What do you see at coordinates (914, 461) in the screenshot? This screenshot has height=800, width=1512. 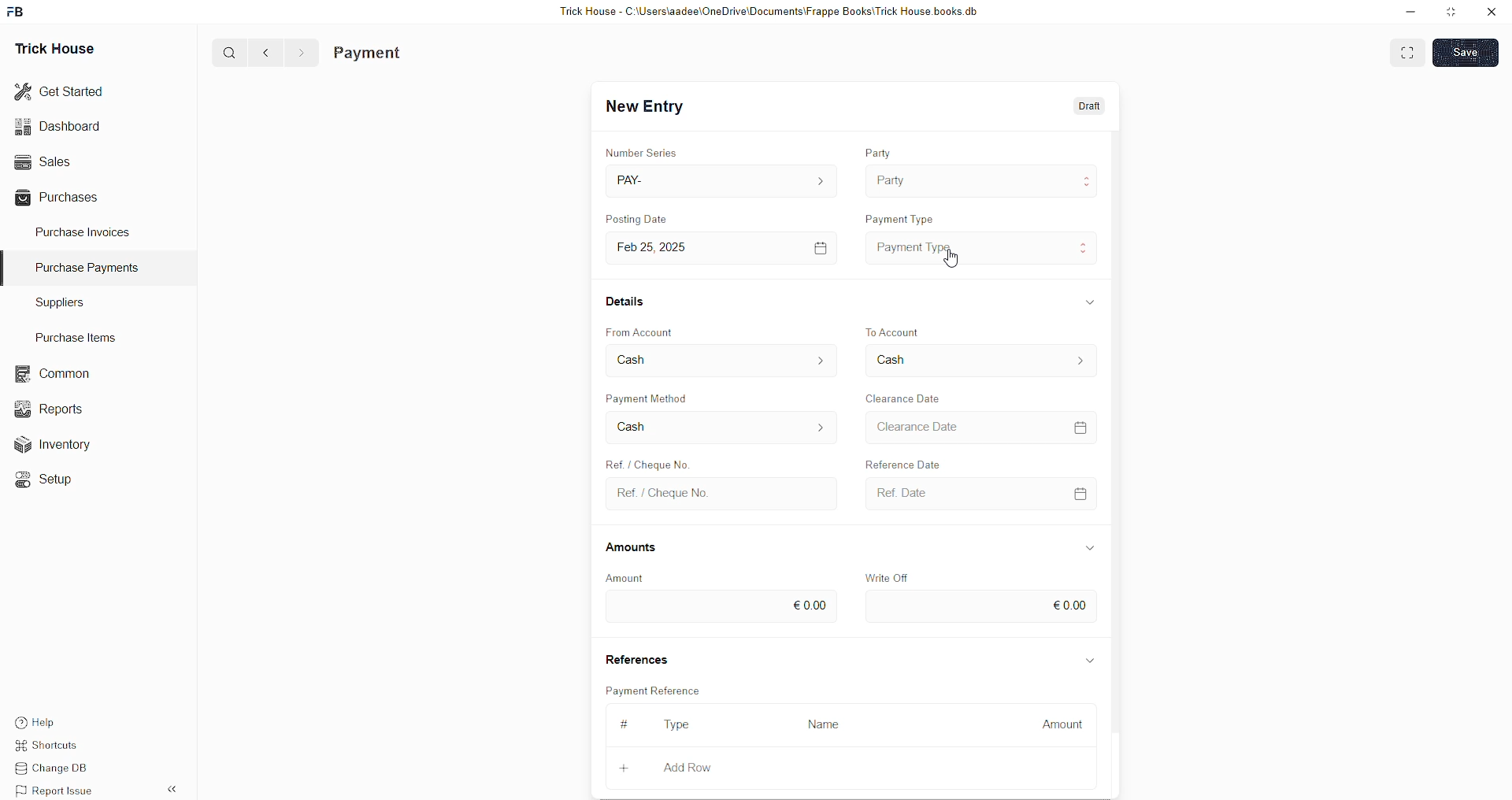 I see `Falivunce Dis` at bounding box center [914, 461].